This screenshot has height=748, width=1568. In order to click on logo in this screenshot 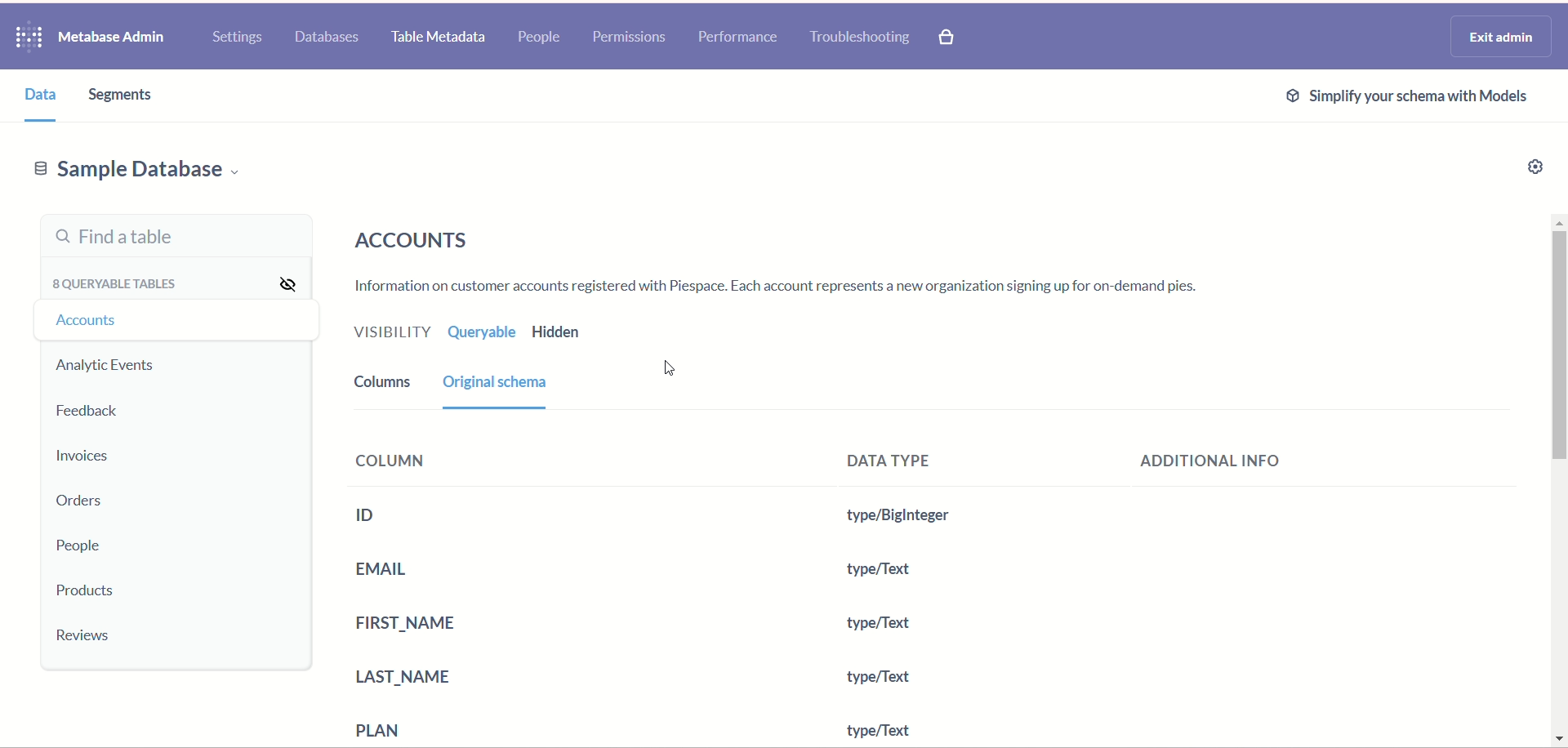, I will do `click(30, 38)`.